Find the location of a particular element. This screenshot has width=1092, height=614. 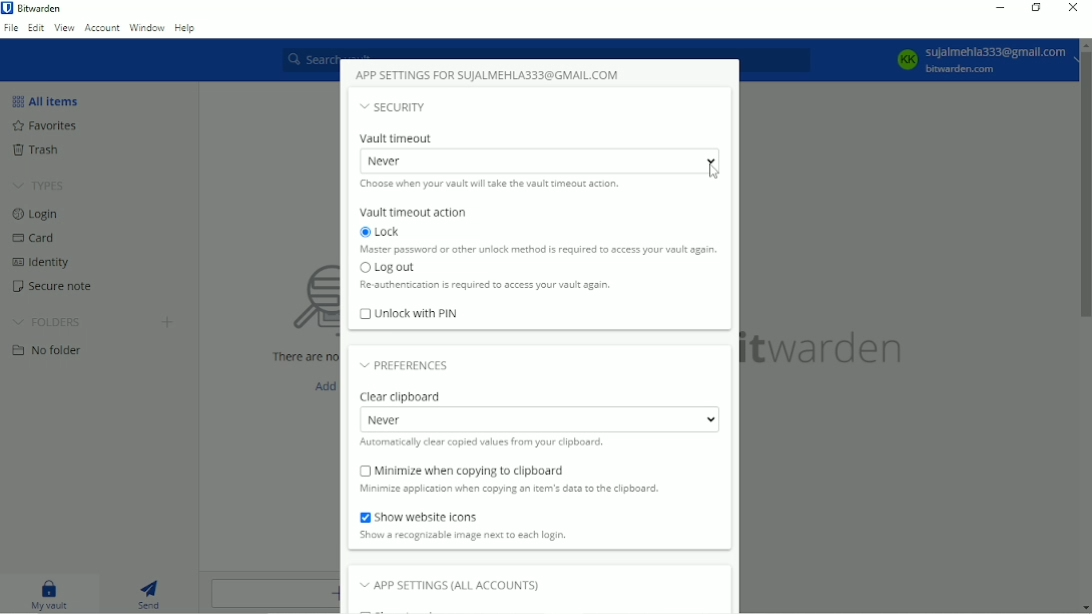

Trash is located at coordinates (37, 149).